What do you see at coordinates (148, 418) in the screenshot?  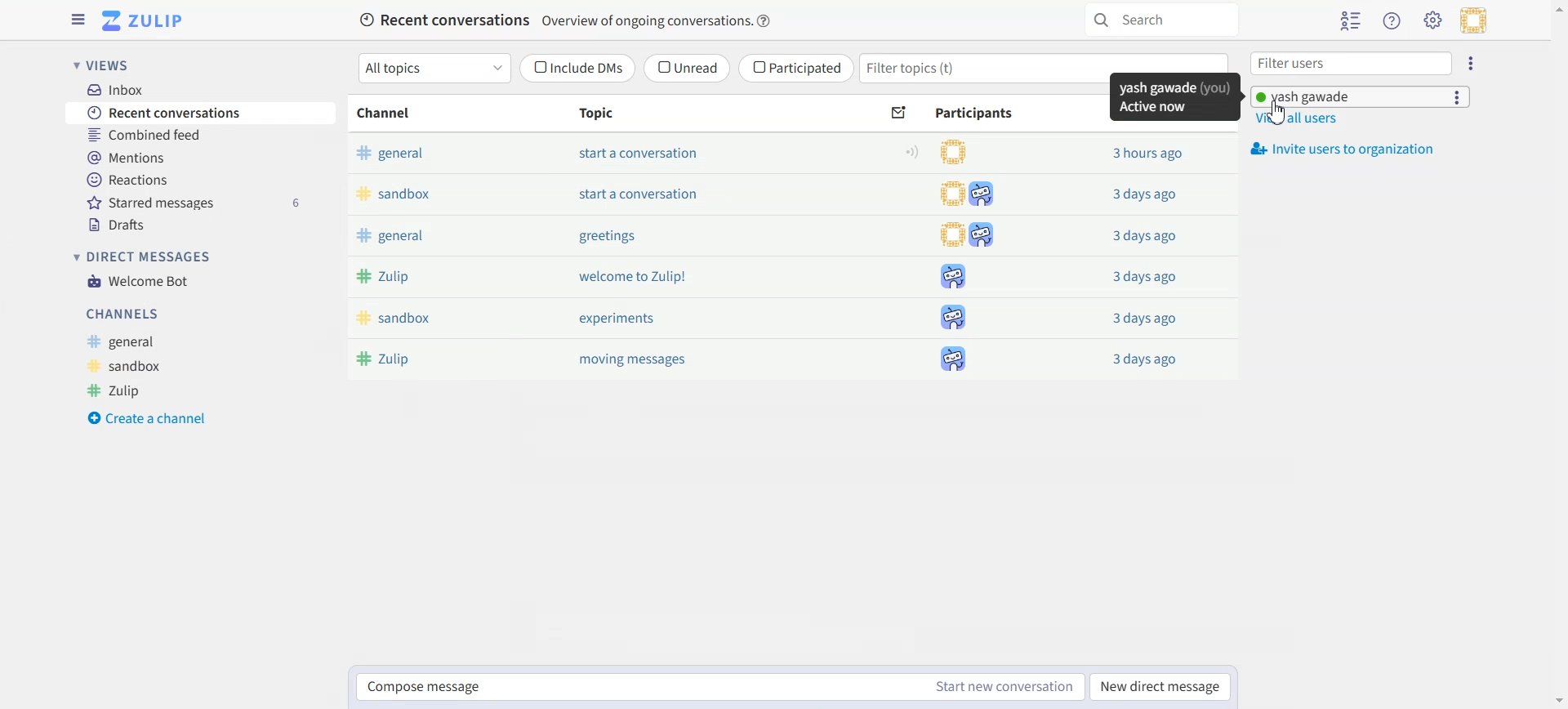 I see `Create a channel` at bounding box center [148, 418].